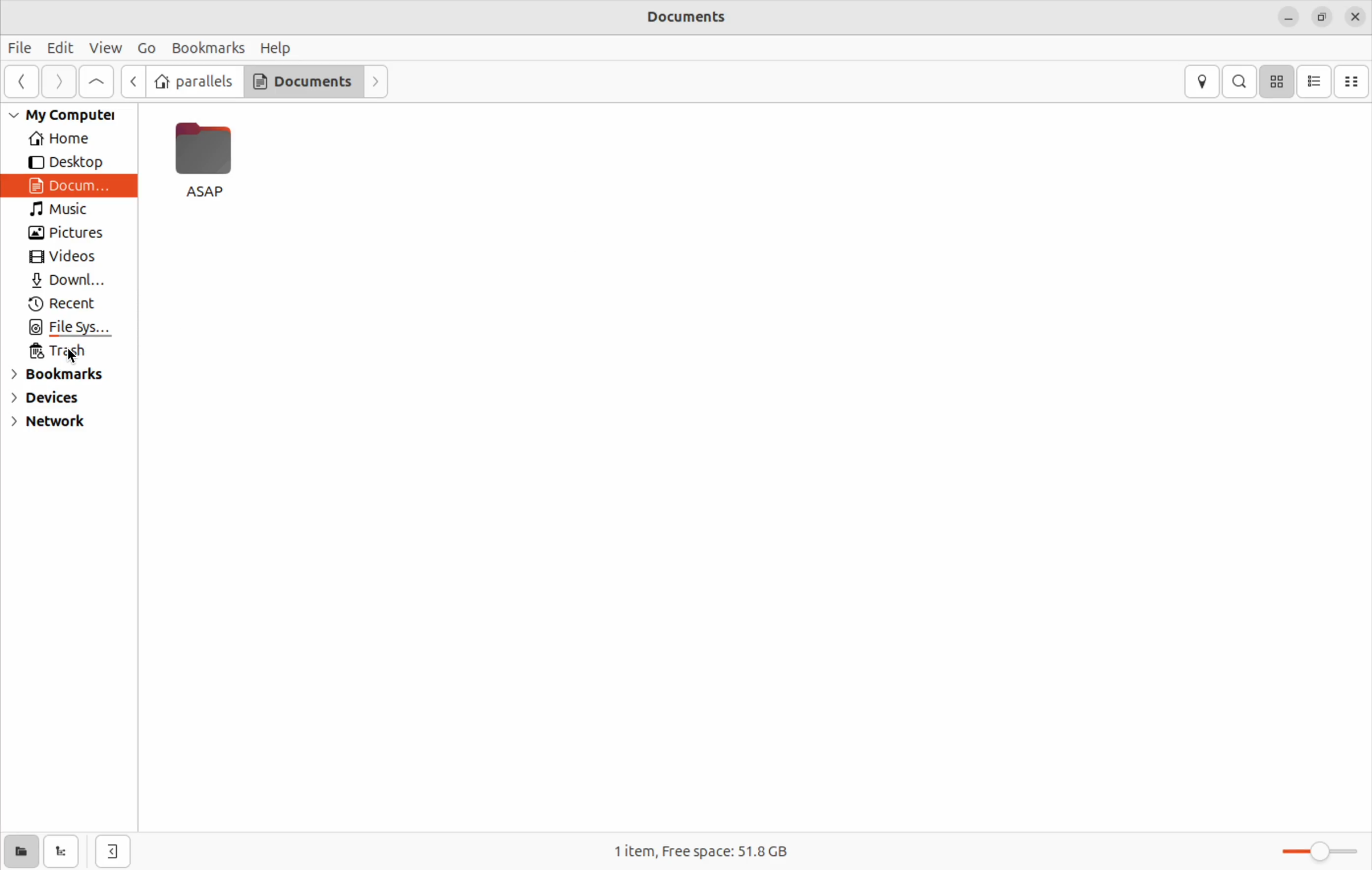  What do you see at coordinates (695, 17) in the screenshot?
I see `Documents` at bounding box center [695, 17].